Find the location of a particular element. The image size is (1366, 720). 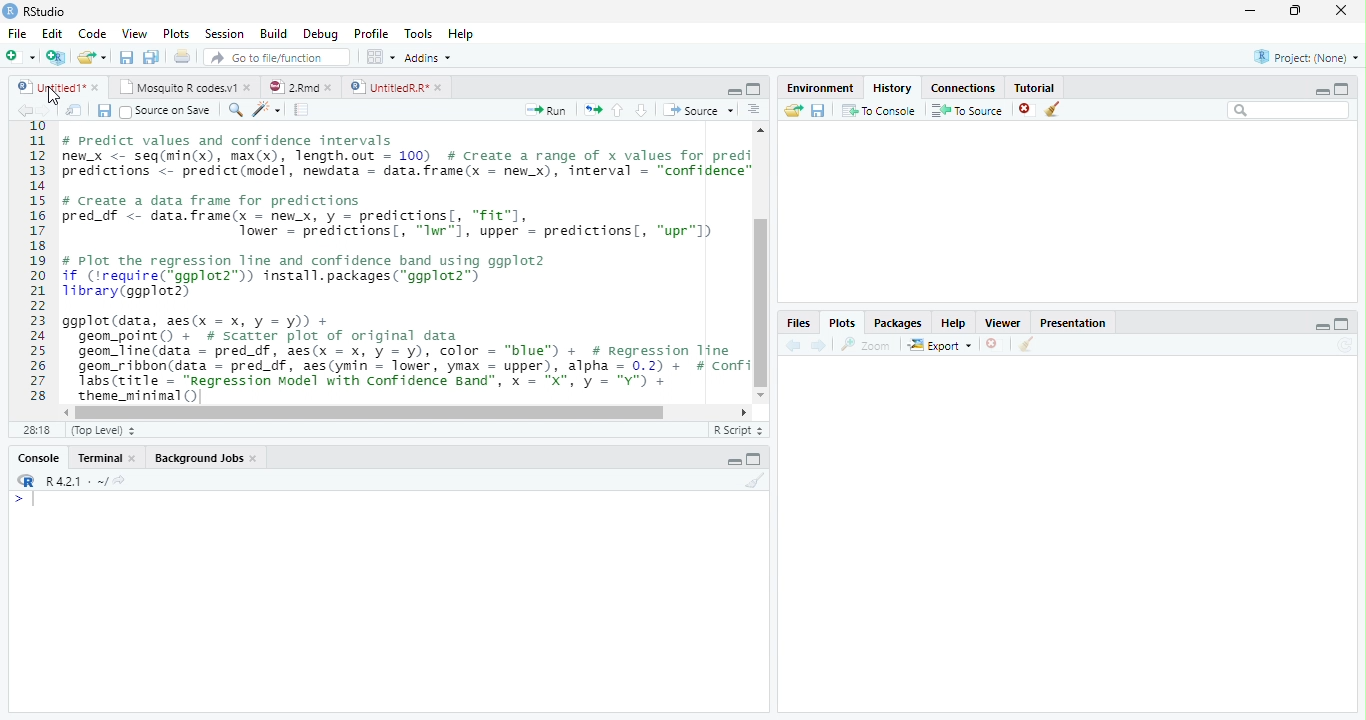

Maximize is located at coordinates (1340, 325).